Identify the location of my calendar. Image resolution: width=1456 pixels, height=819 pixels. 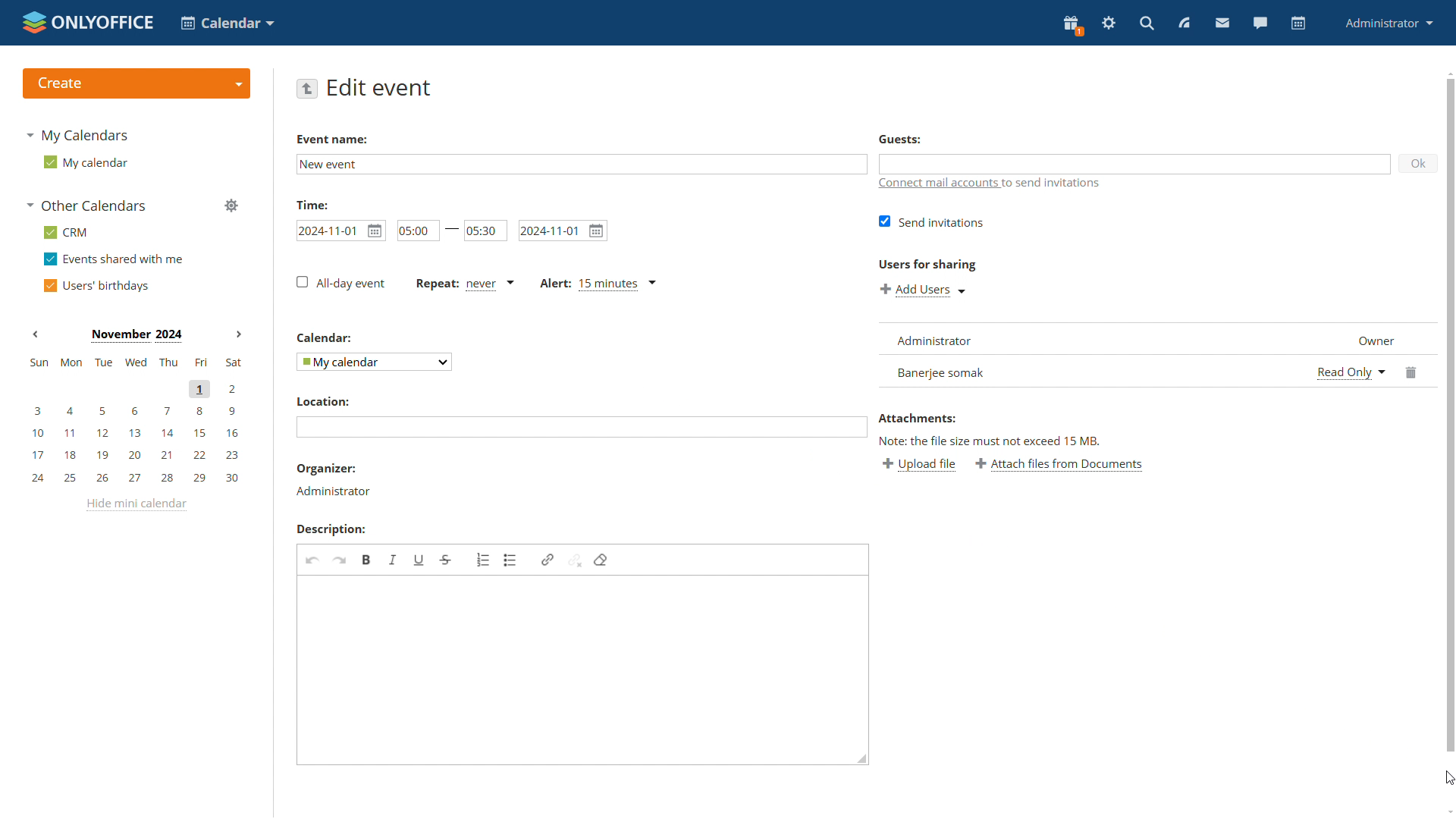
(88, 165).